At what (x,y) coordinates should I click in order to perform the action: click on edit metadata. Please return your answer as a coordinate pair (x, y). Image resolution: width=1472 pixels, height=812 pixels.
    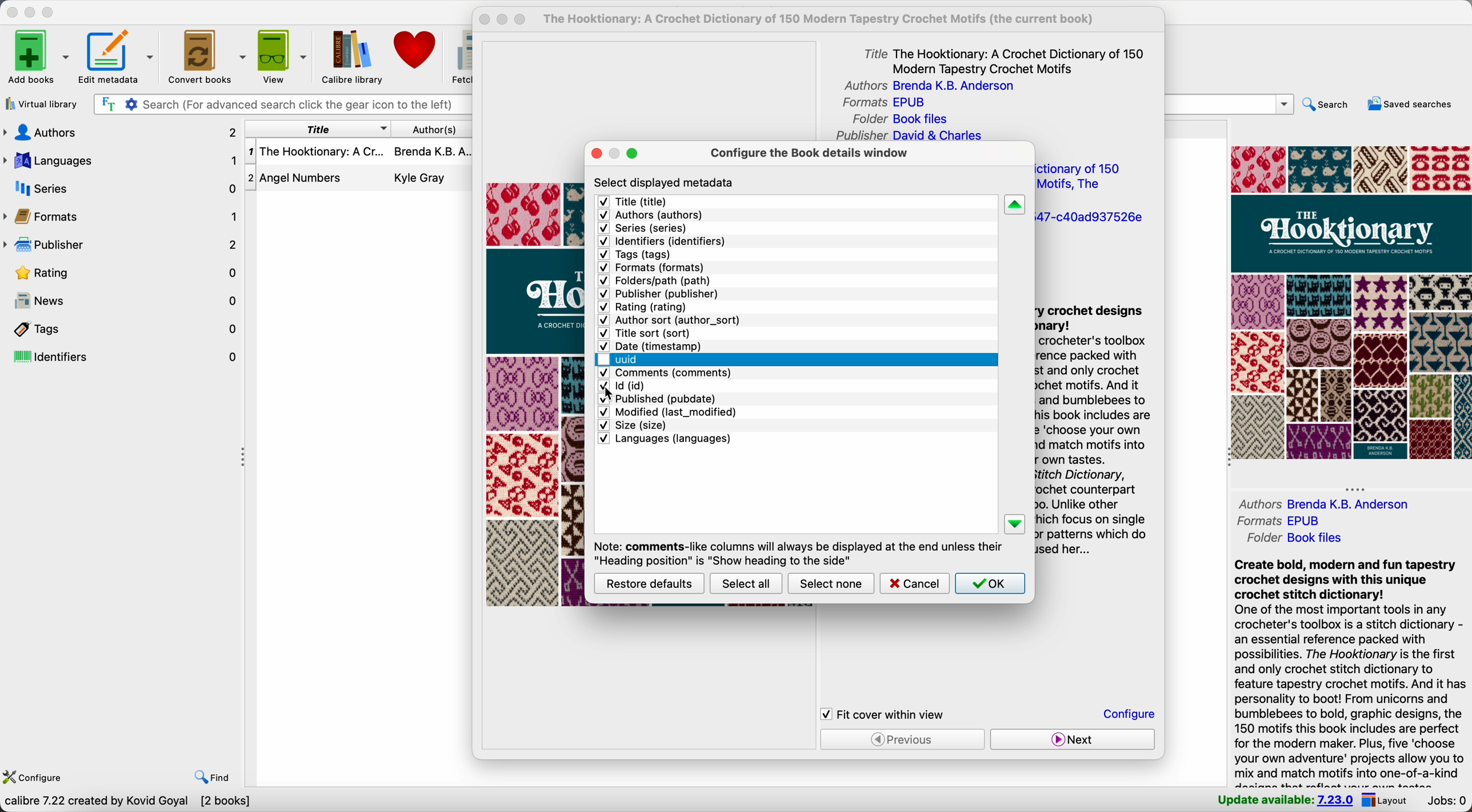
    Looking at the image, I should click on (116, 58).